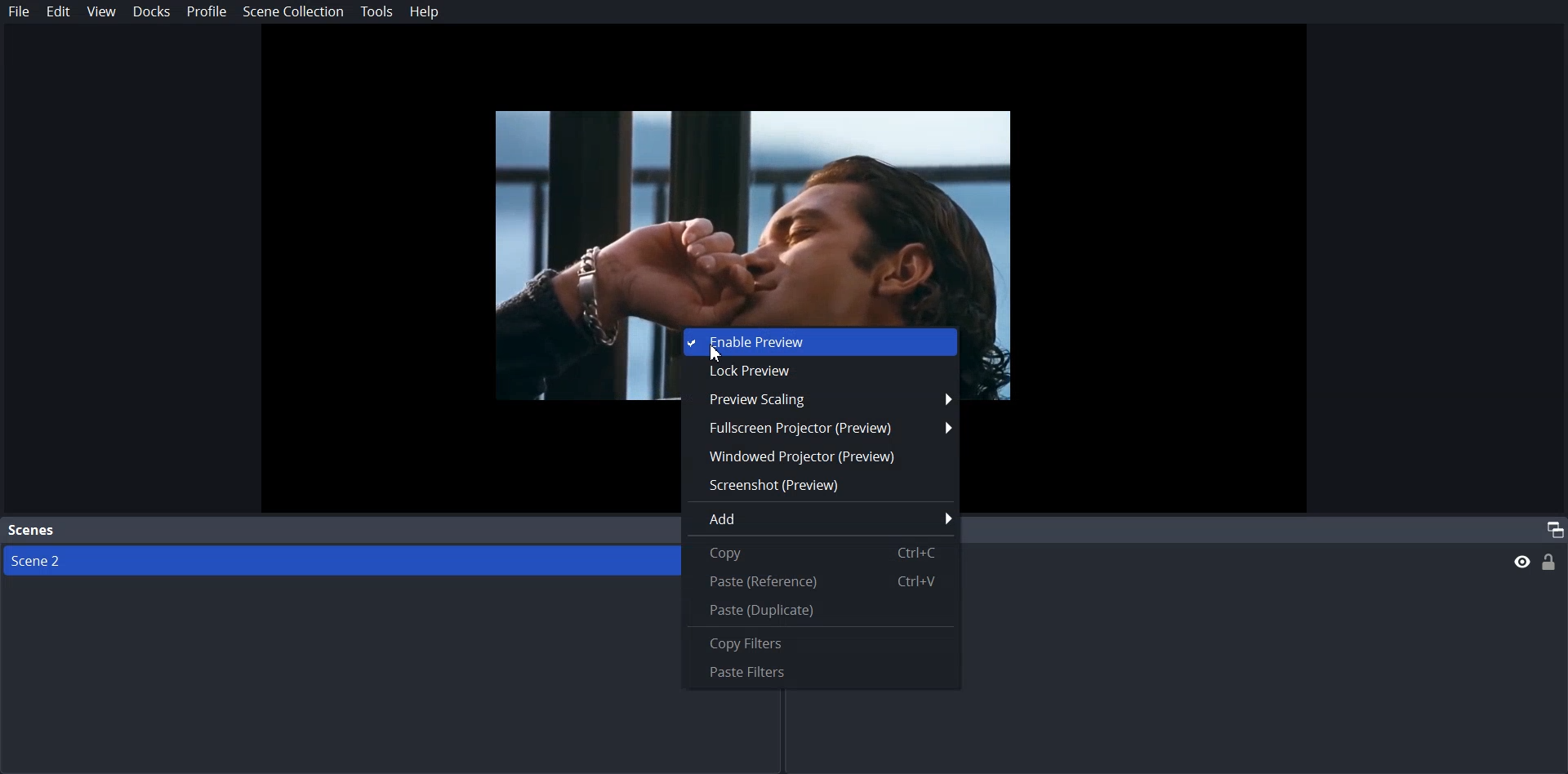 The image size is (1568, 774). I want to click on Copy Filter, so click(819, 645).